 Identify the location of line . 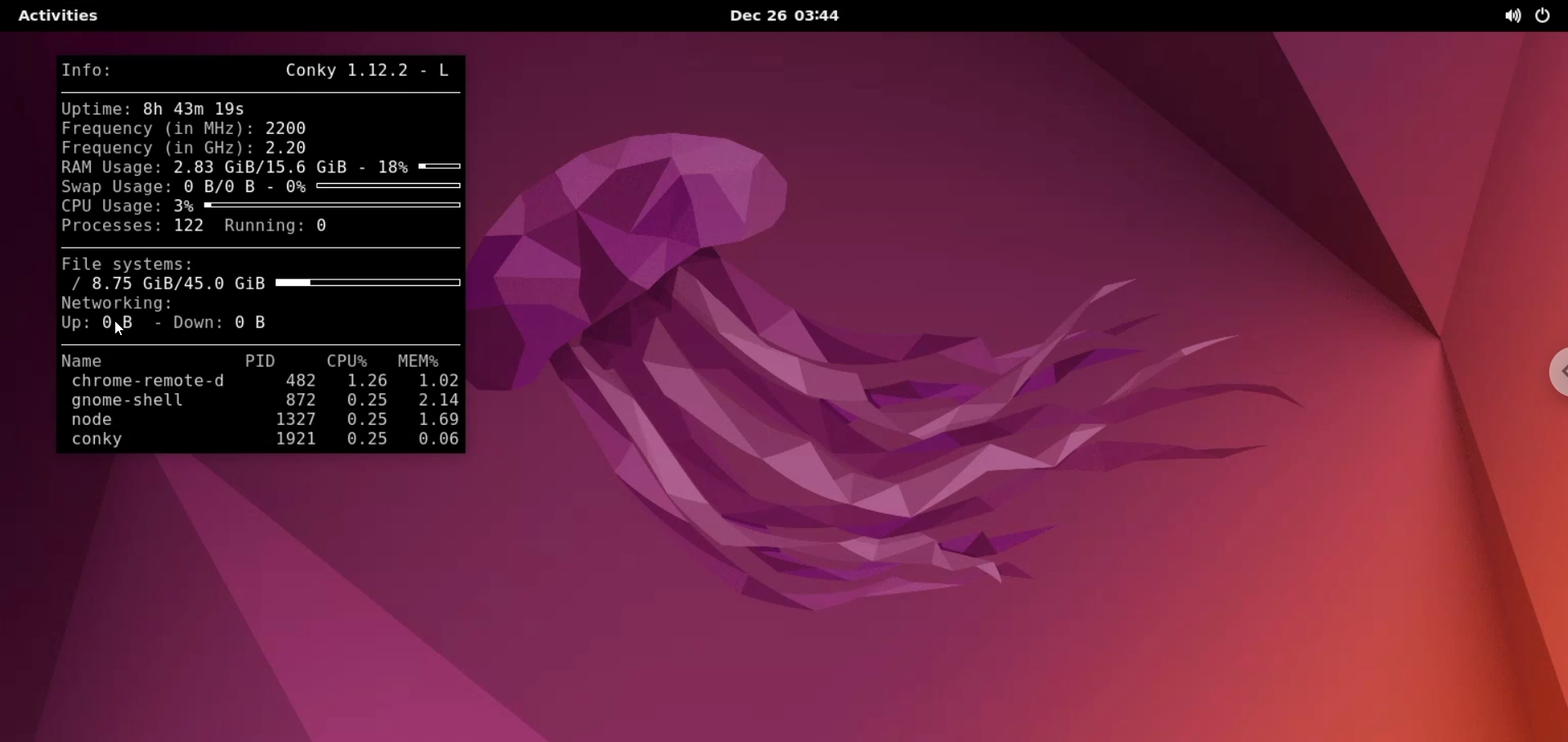
(260, 92).